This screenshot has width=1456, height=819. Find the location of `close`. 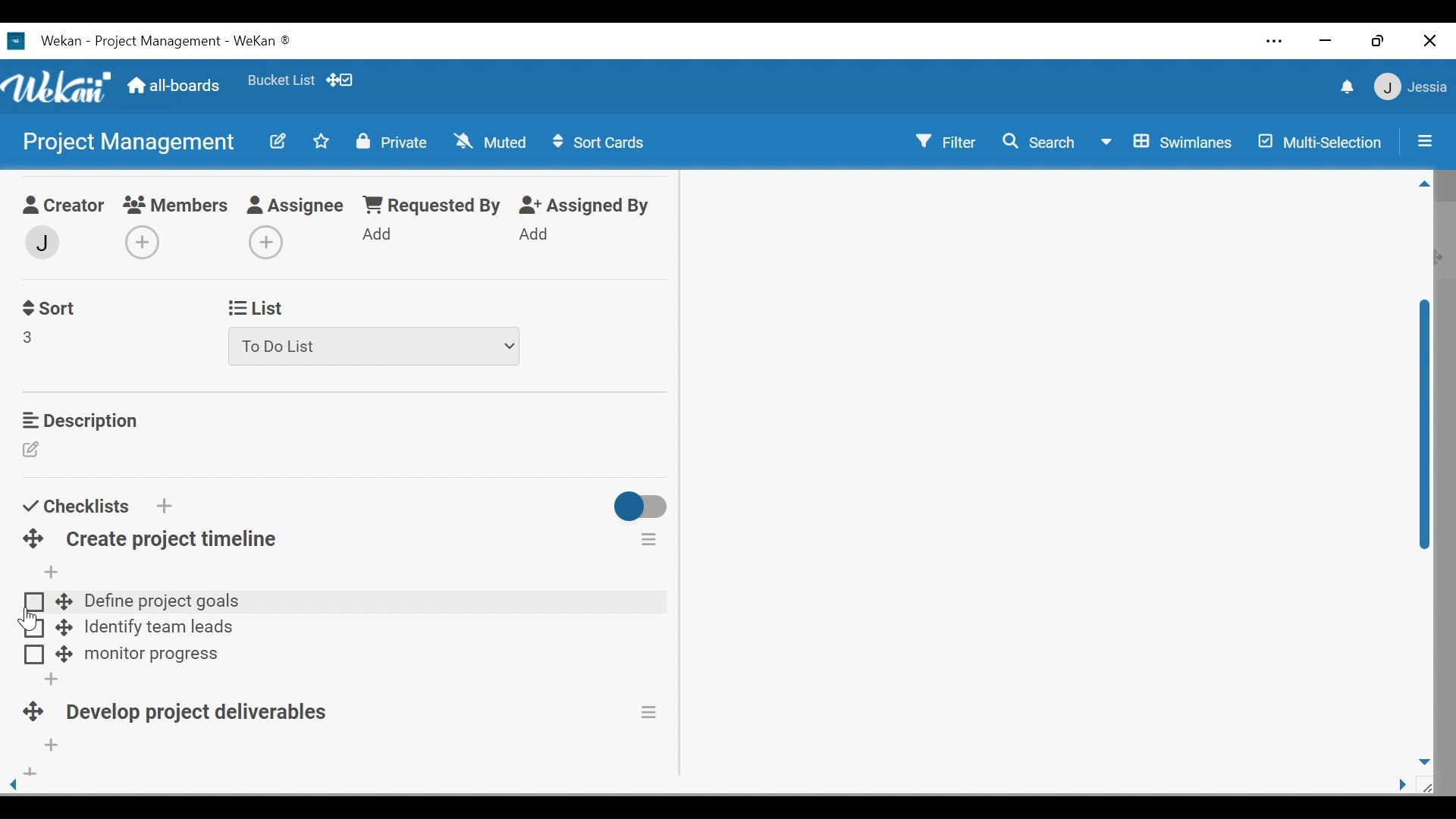

close is located at coordinates (1429, 41).